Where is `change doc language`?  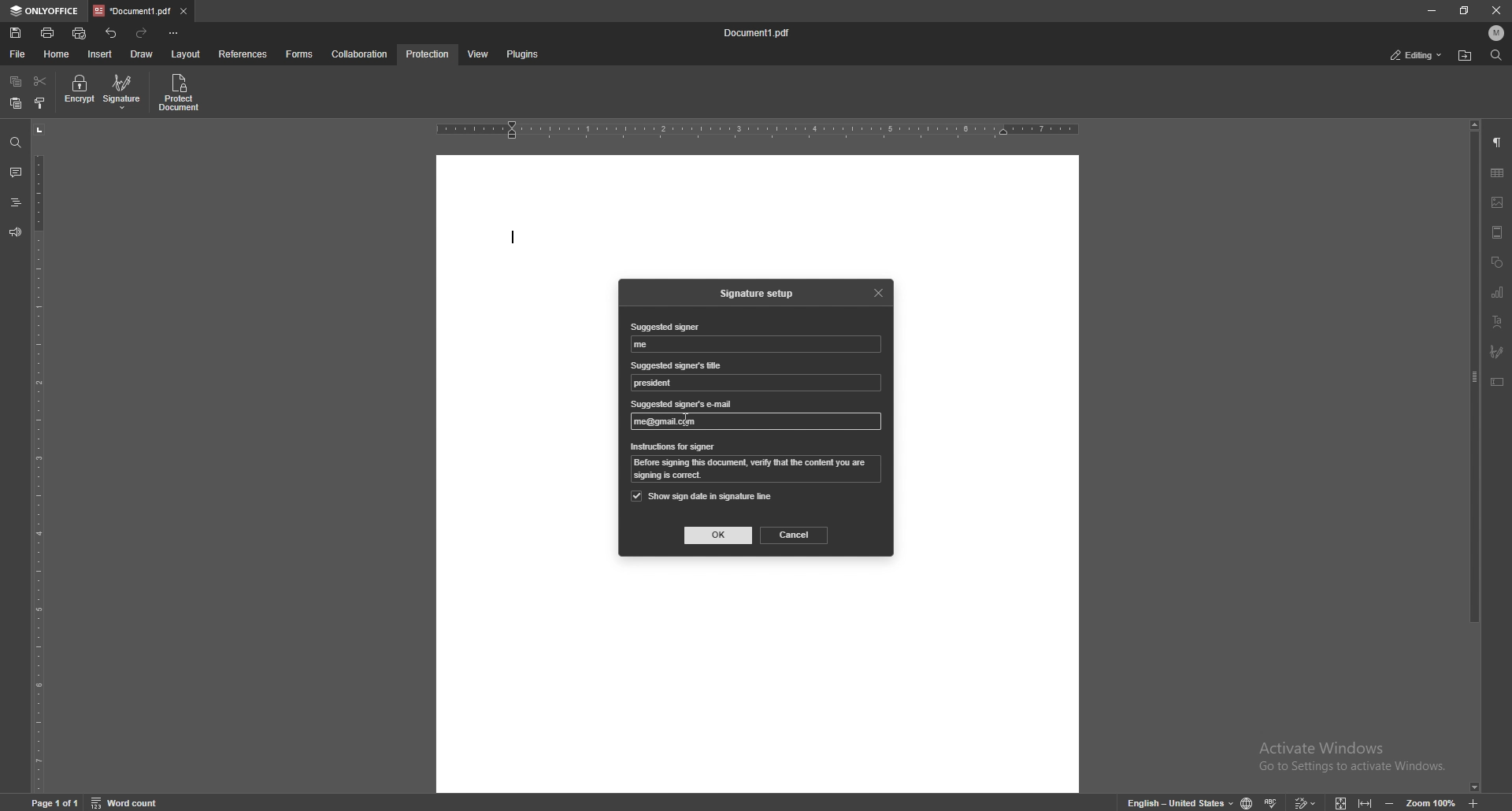
change doc language is located at coordinates (1241, 802).